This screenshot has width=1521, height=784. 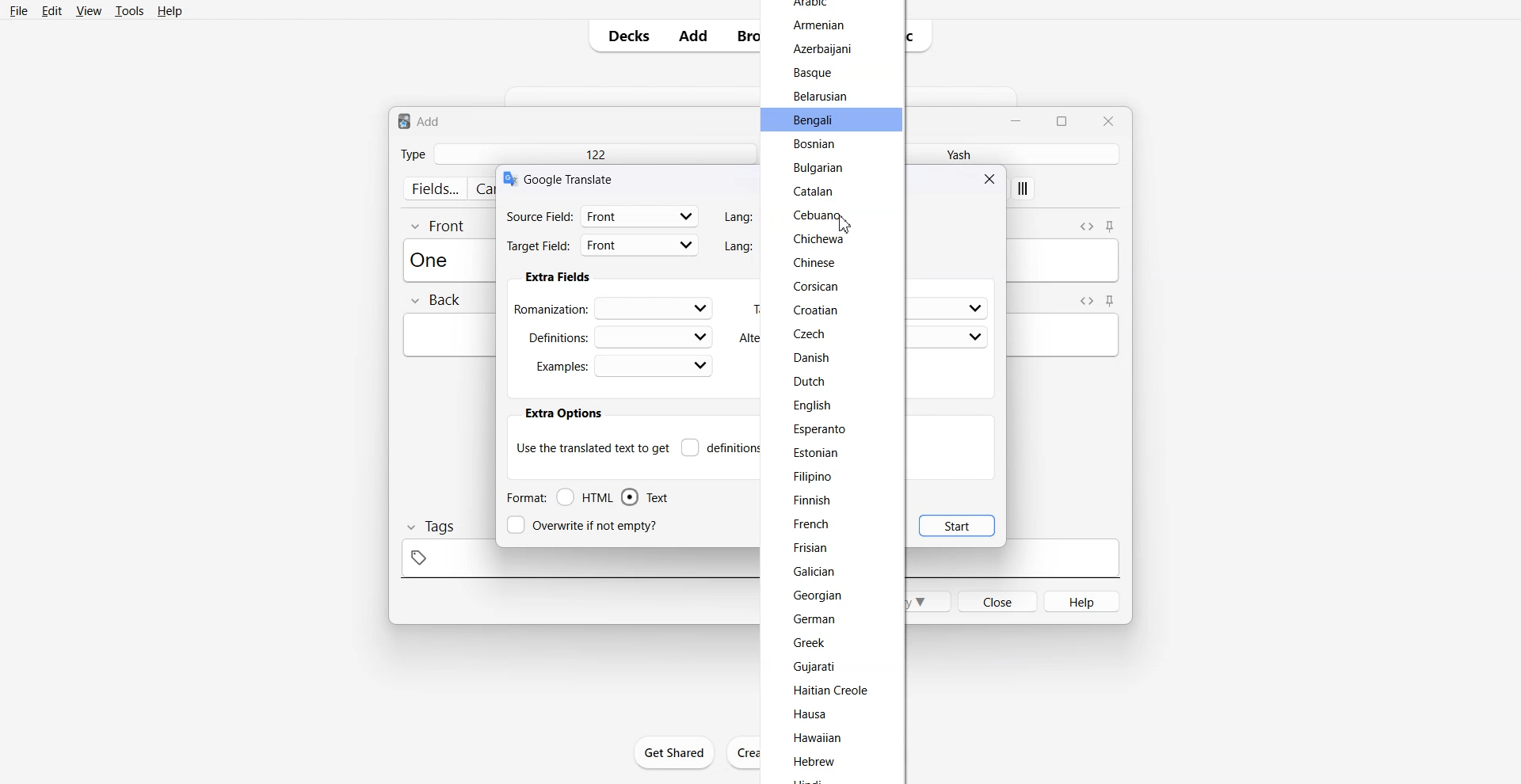 I want to click on Armenian, so click(x=820, y=26).